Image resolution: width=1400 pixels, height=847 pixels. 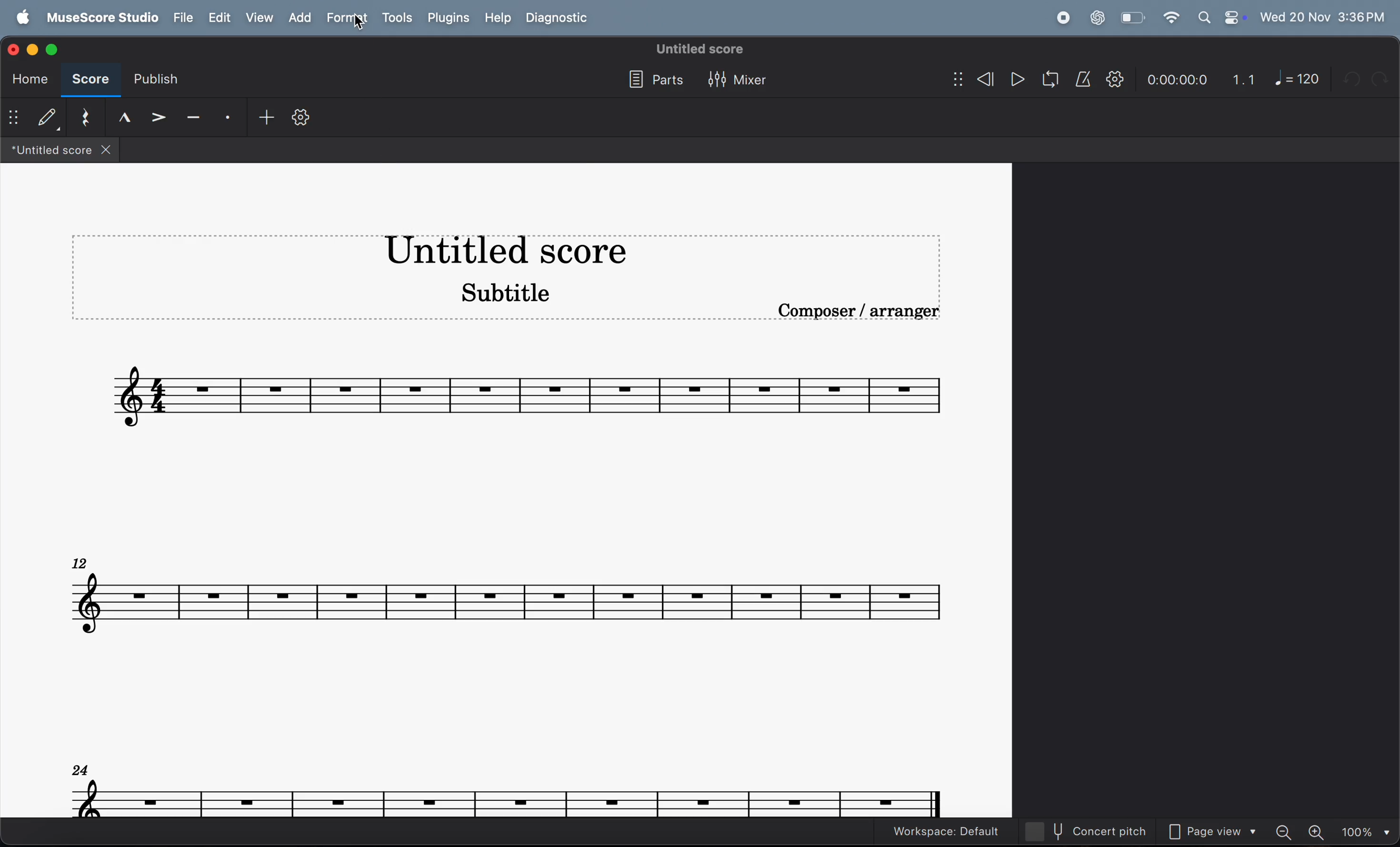 What do you see at coordinates (1221, 18) in the screenshot?
I see `apple widgets` at bounding box center [1221, 18].